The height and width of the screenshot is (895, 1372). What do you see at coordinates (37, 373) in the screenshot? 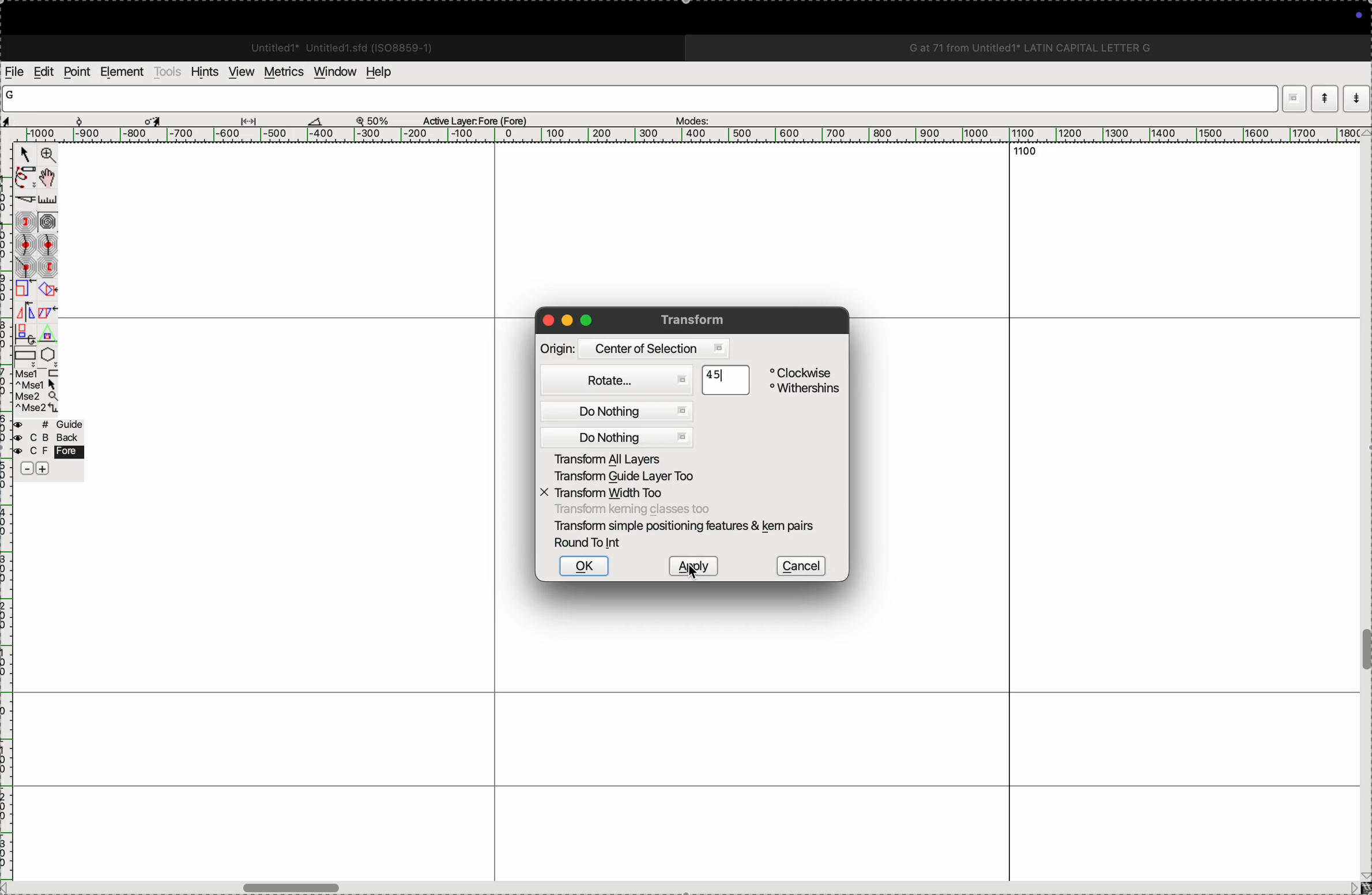
I see `left mouse button` at bounding box center [37, 373].